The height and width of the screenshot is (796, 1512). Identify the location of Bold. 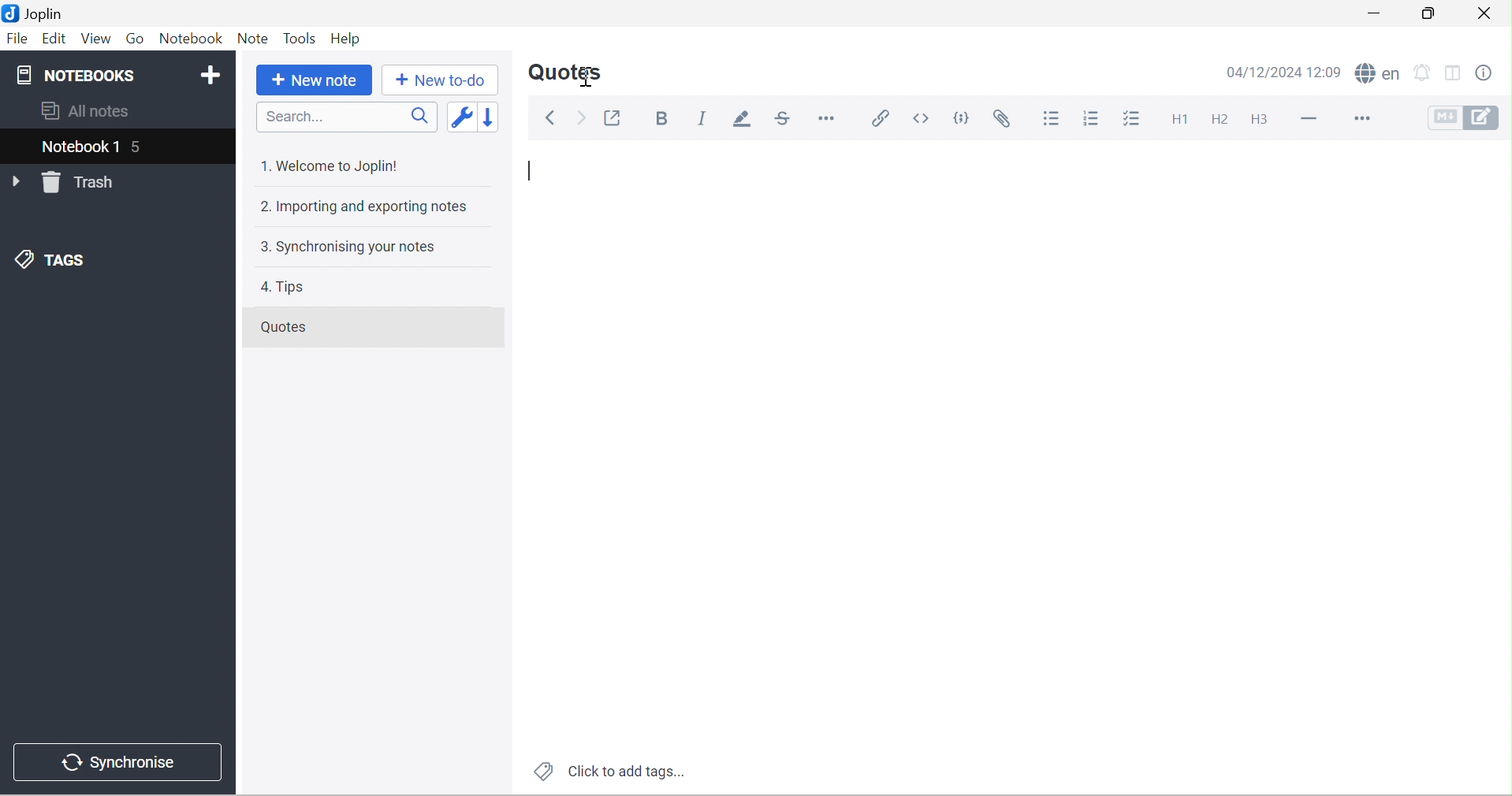
(664, 119).